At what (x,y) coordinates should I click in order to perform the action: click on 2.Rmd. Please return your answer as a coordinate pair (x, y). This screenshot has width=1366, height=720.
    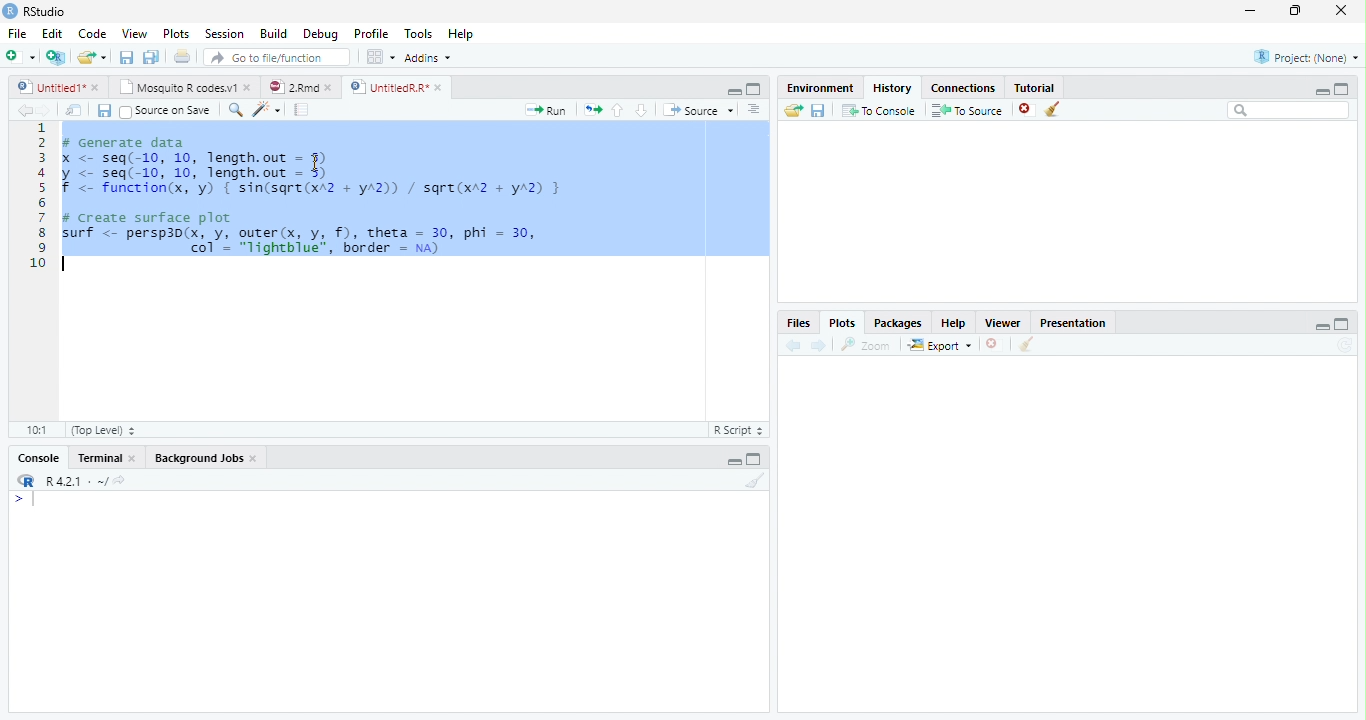
    Looking at the image, I should click on (292, 86).